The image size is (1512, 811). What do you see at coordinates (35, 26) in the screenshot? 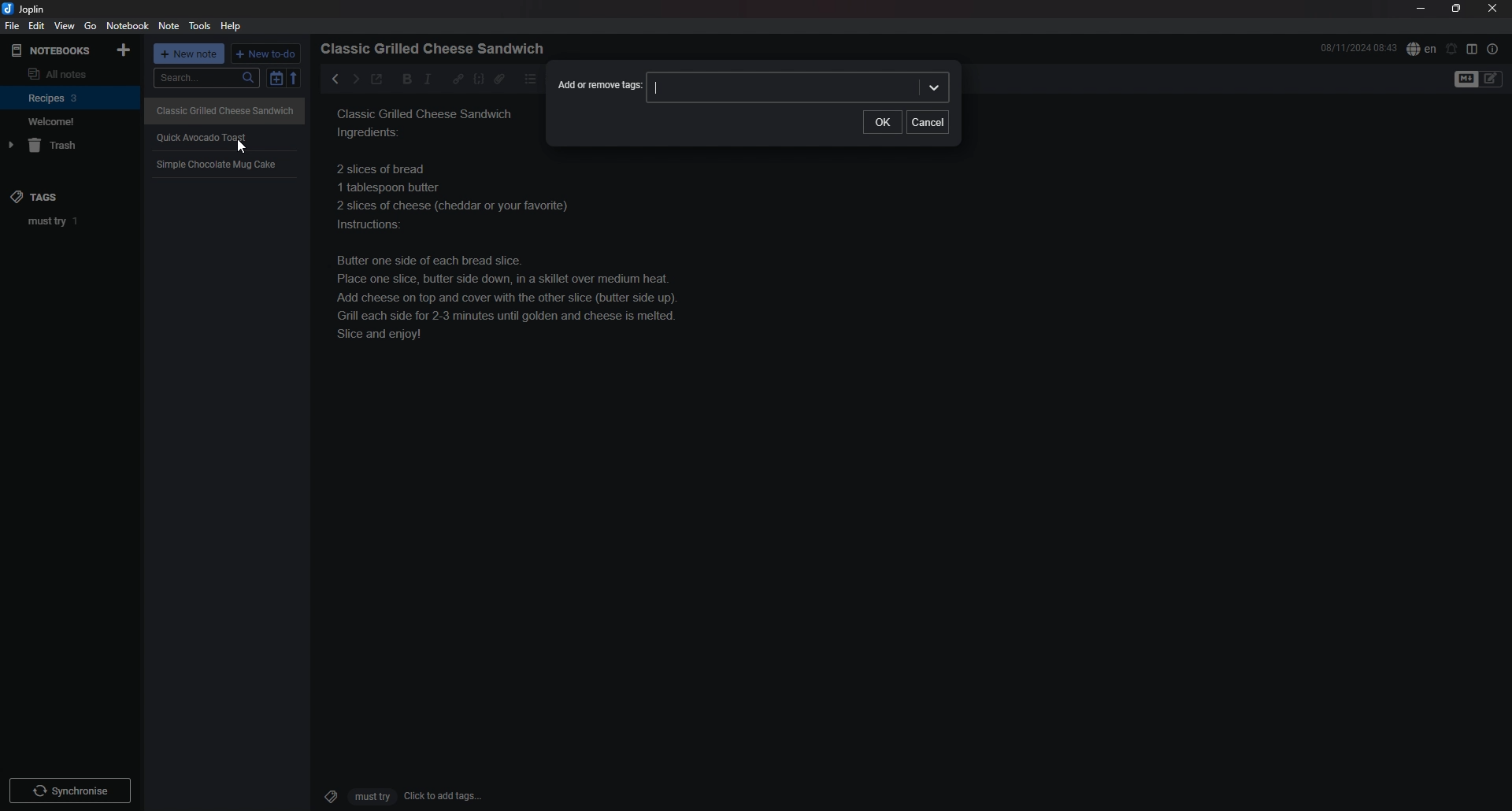
I see `edit` at bounding box center [35, 26].